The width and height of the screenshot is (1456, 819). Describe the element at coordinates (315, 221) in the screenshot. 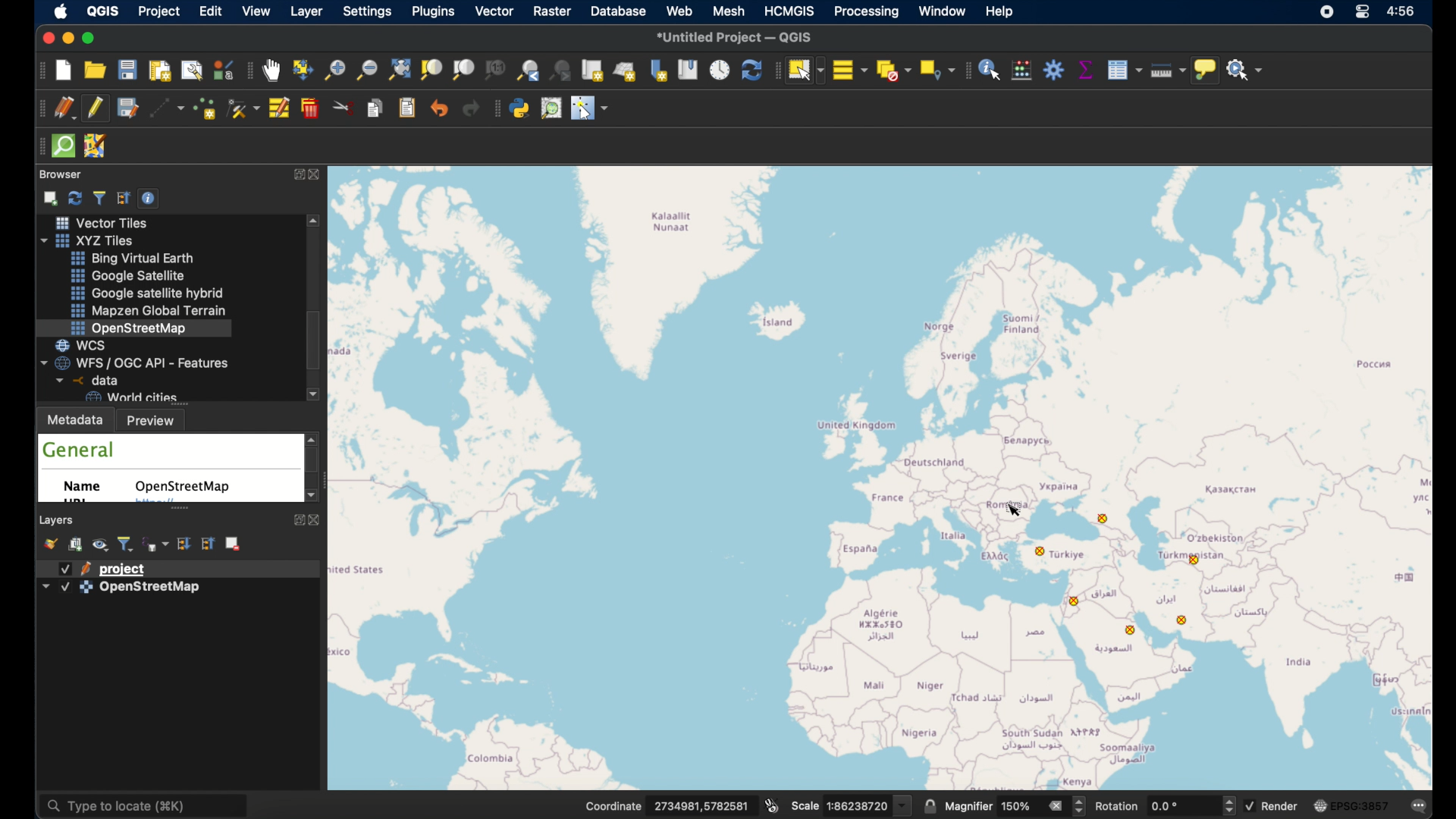

I see `scroll up arrow` at that location.